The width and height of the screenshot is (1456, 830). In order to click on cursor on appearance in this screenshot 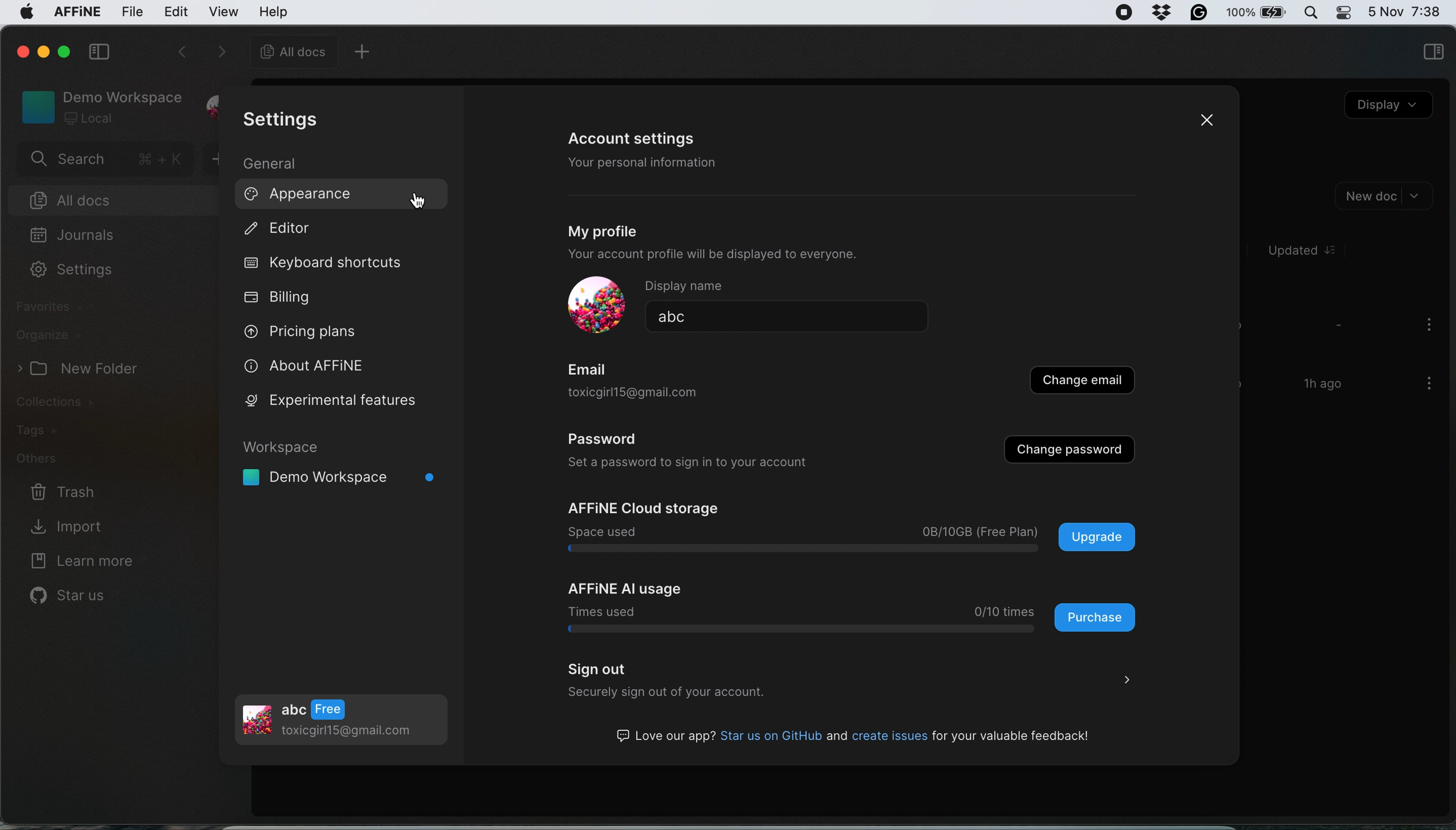, I will do `click(421, 203)`.